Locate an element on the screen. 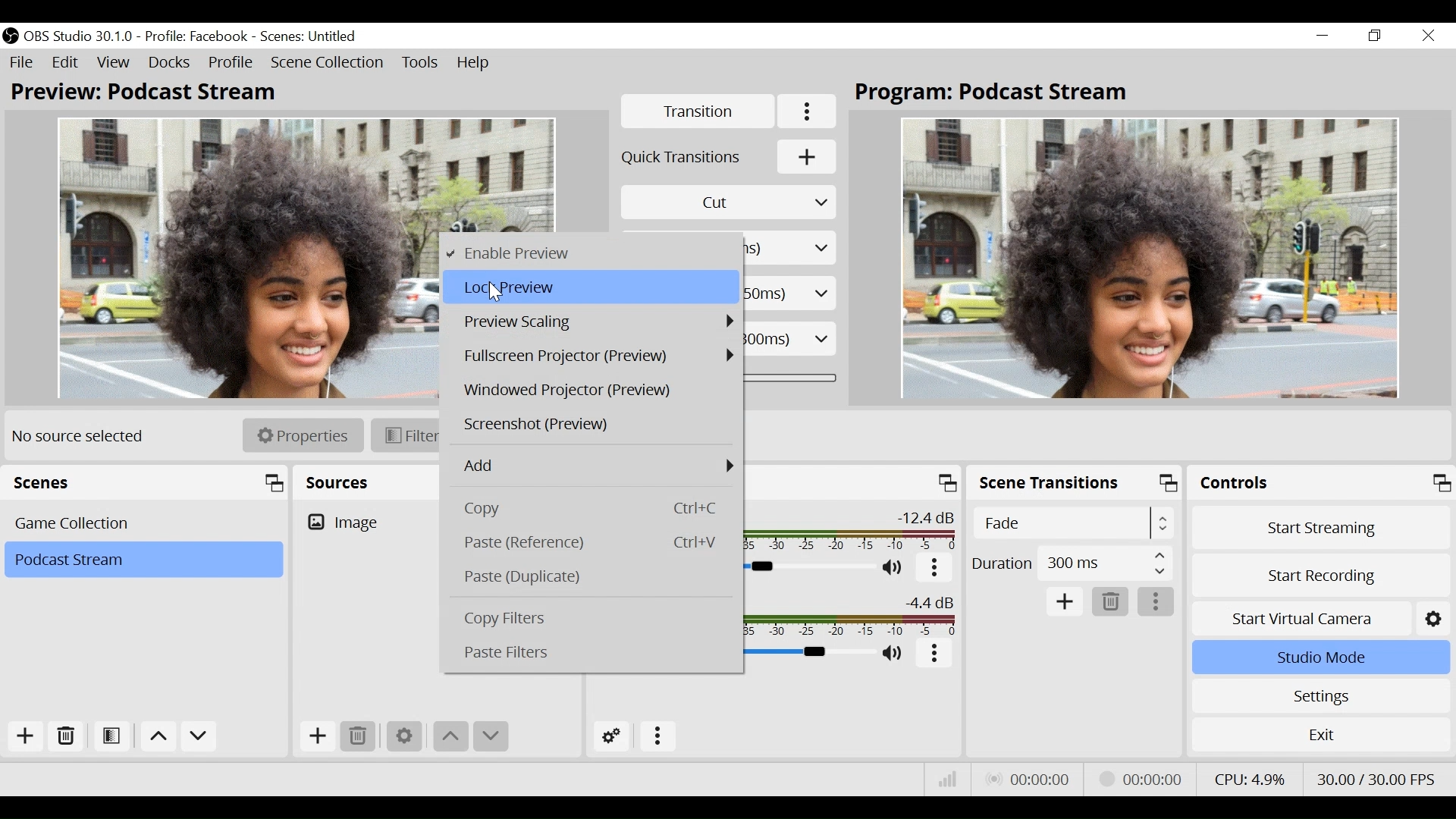  Tools is located at coordinates (422, 63).